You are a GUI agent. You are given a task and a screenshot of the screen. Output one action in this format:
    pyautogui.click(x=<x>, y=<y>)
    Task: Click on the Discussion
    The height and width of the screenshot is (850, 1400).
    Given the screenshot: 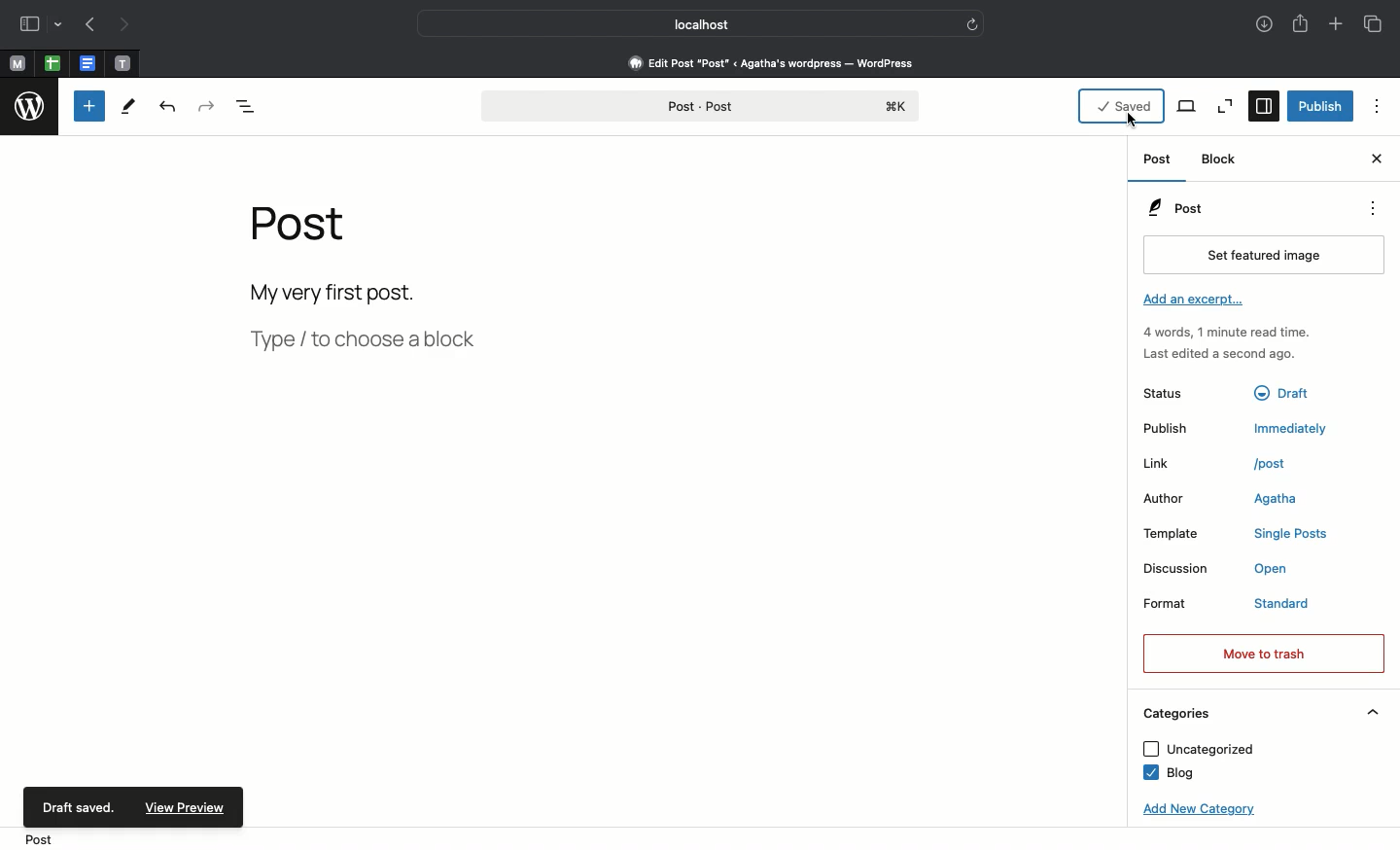 What is the action you would take?
    pyautogui.click(x=1178, y=569)
    